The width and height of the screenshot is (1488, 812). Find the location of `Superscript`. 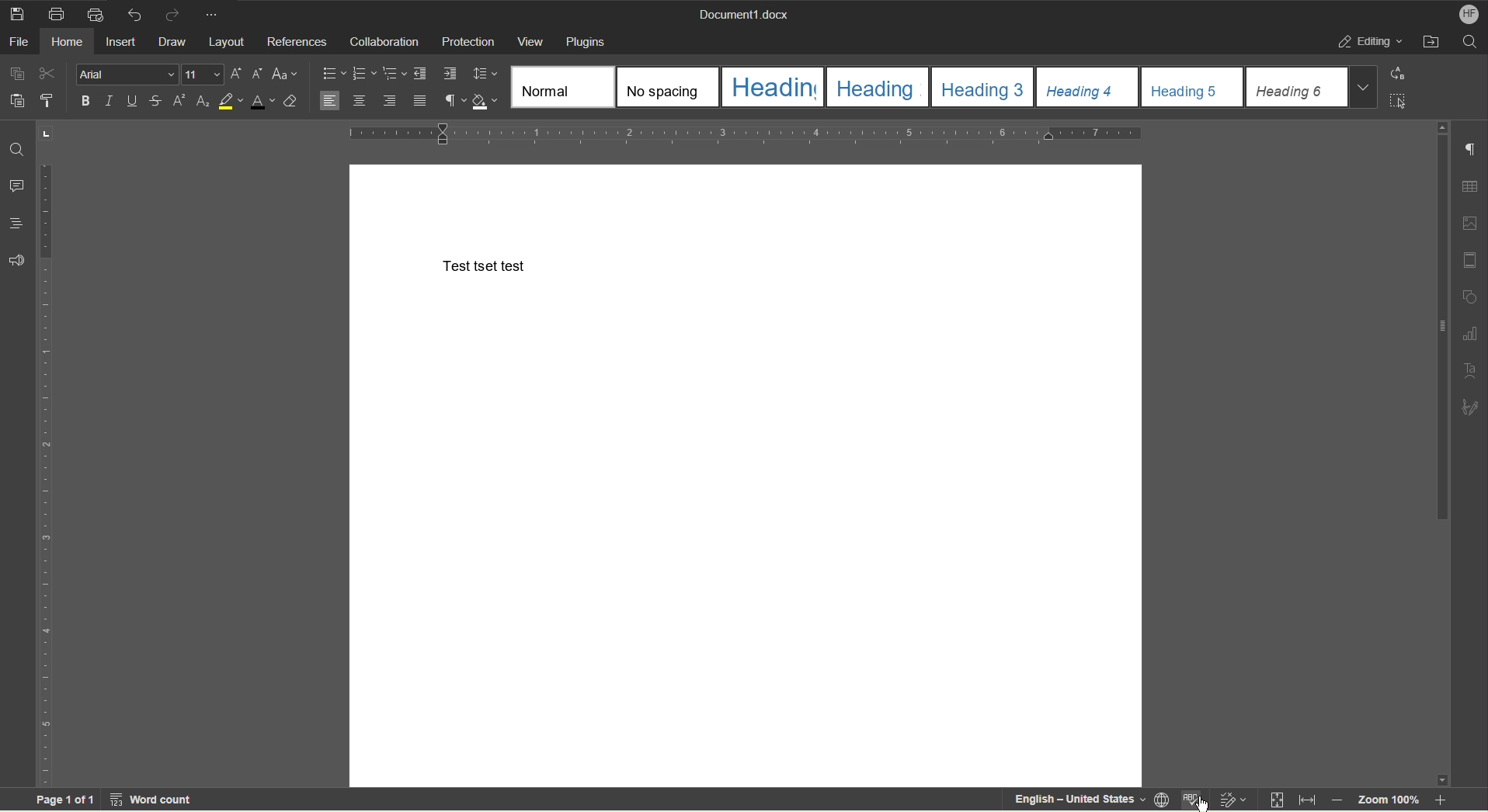

Superscript is located at coordinates (179, 102).